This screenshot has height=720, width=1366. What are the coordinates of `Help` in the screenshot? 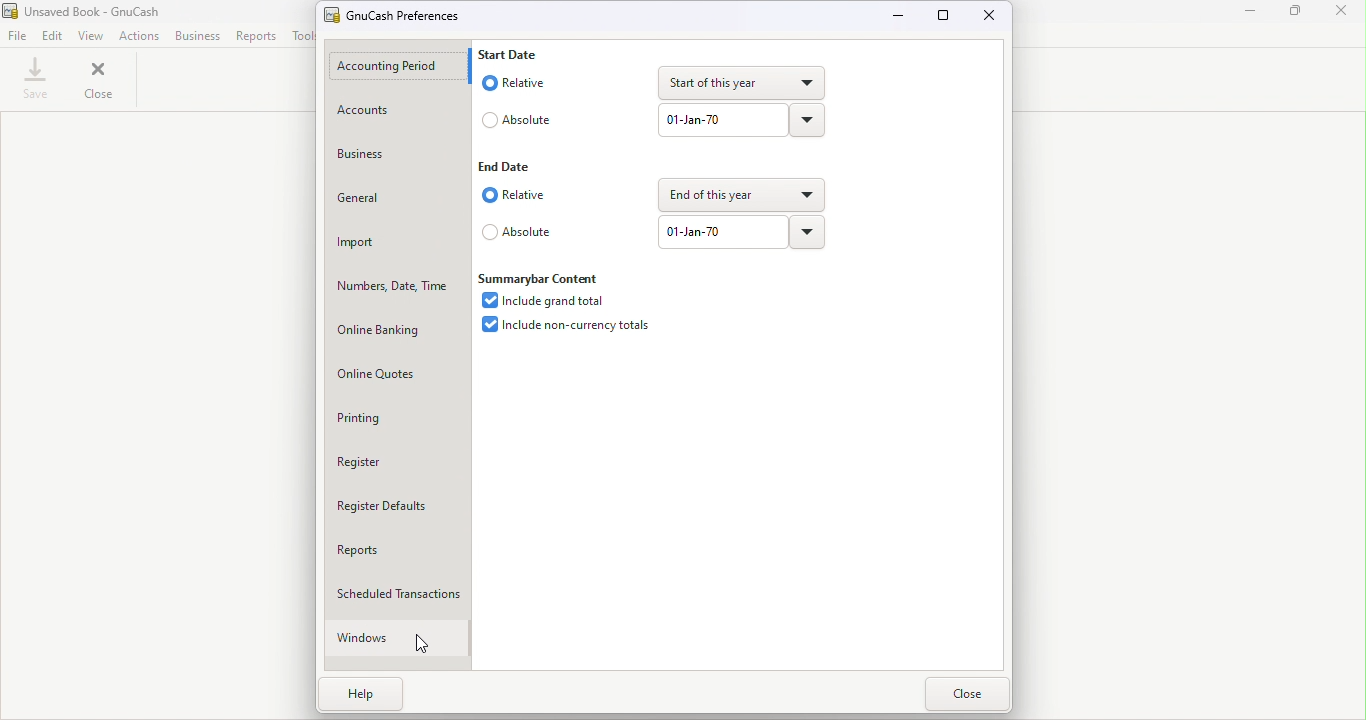 It's located at (379, 700).